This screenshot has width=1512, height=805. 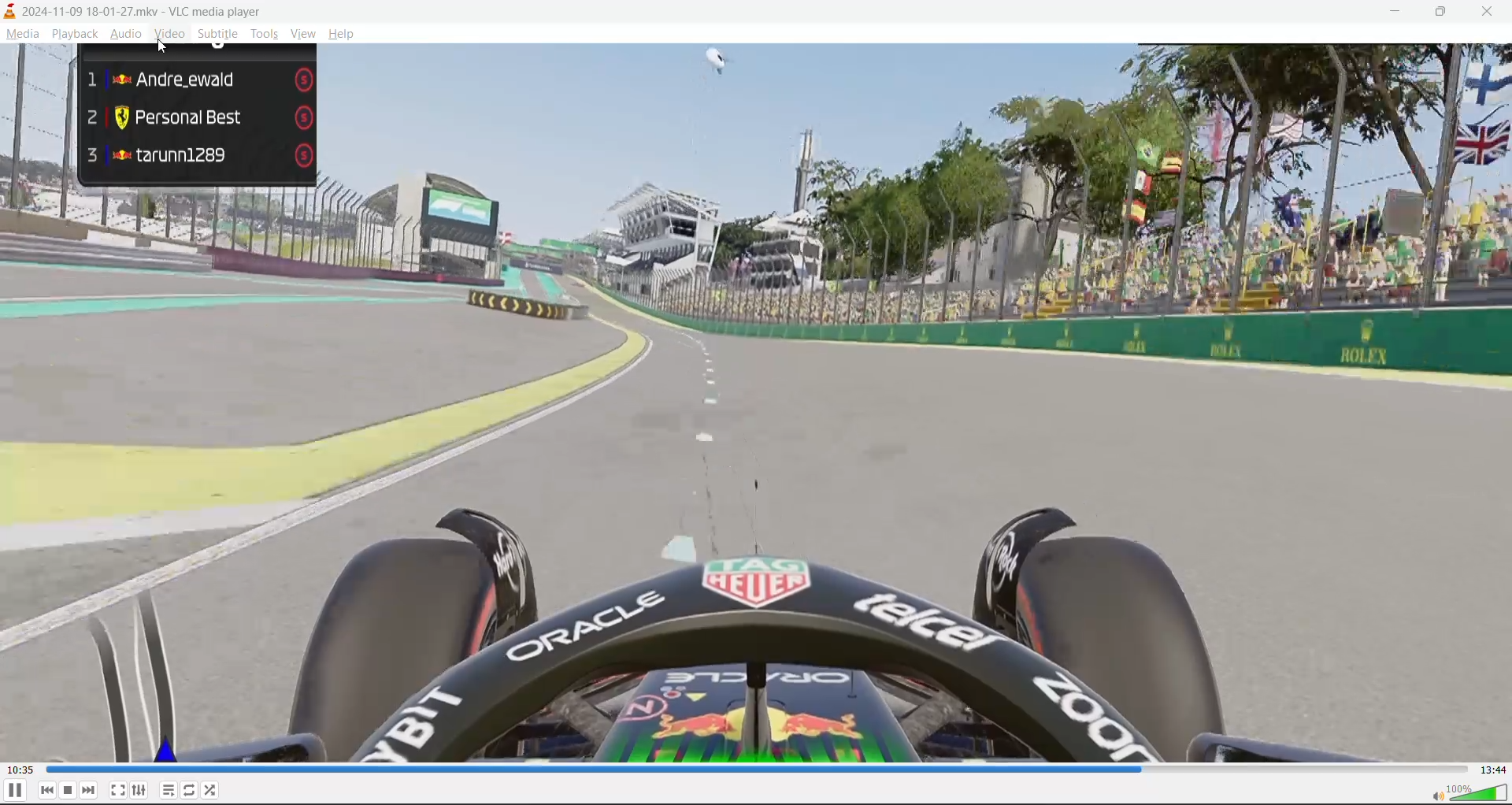 What do you see at coordinates (129, 13) in the screenshot?
I see `track name and app name ` at bounding box center [129, 13].